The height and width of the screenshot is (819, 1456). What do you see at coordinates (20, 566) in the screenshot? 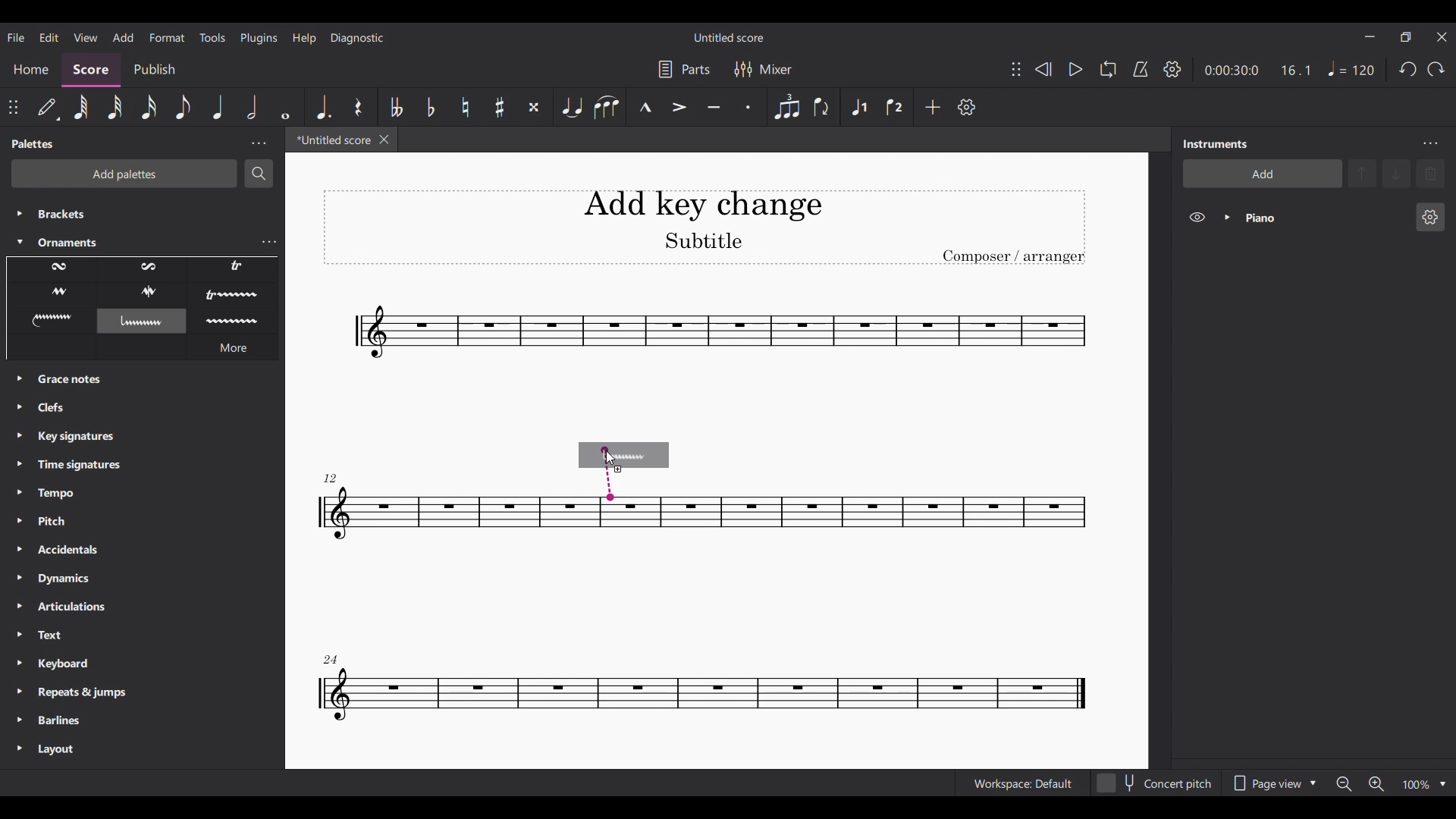
I see `Expand palettes` at bounding box center [20, 566].